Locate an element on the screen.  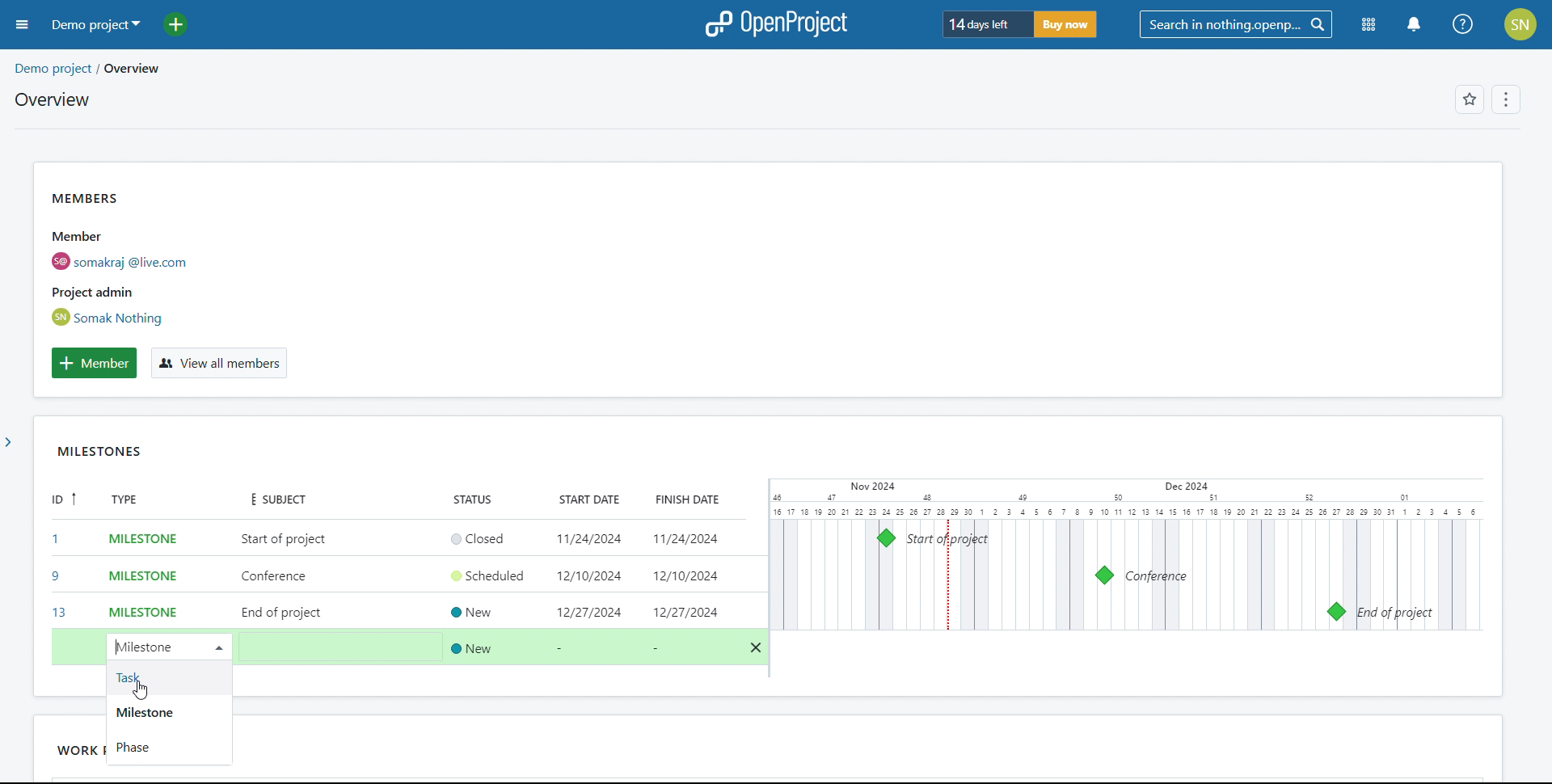
milestone 9 is located at coordinates (1104, 575).